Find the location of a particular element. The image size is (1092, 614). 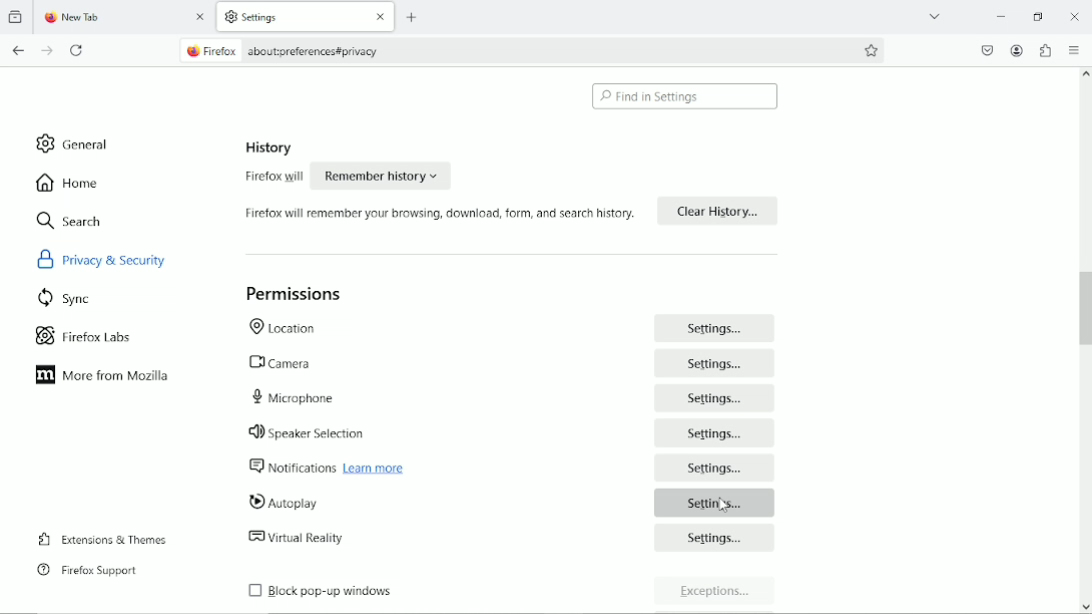

camera is located at coordinates (372, 362).